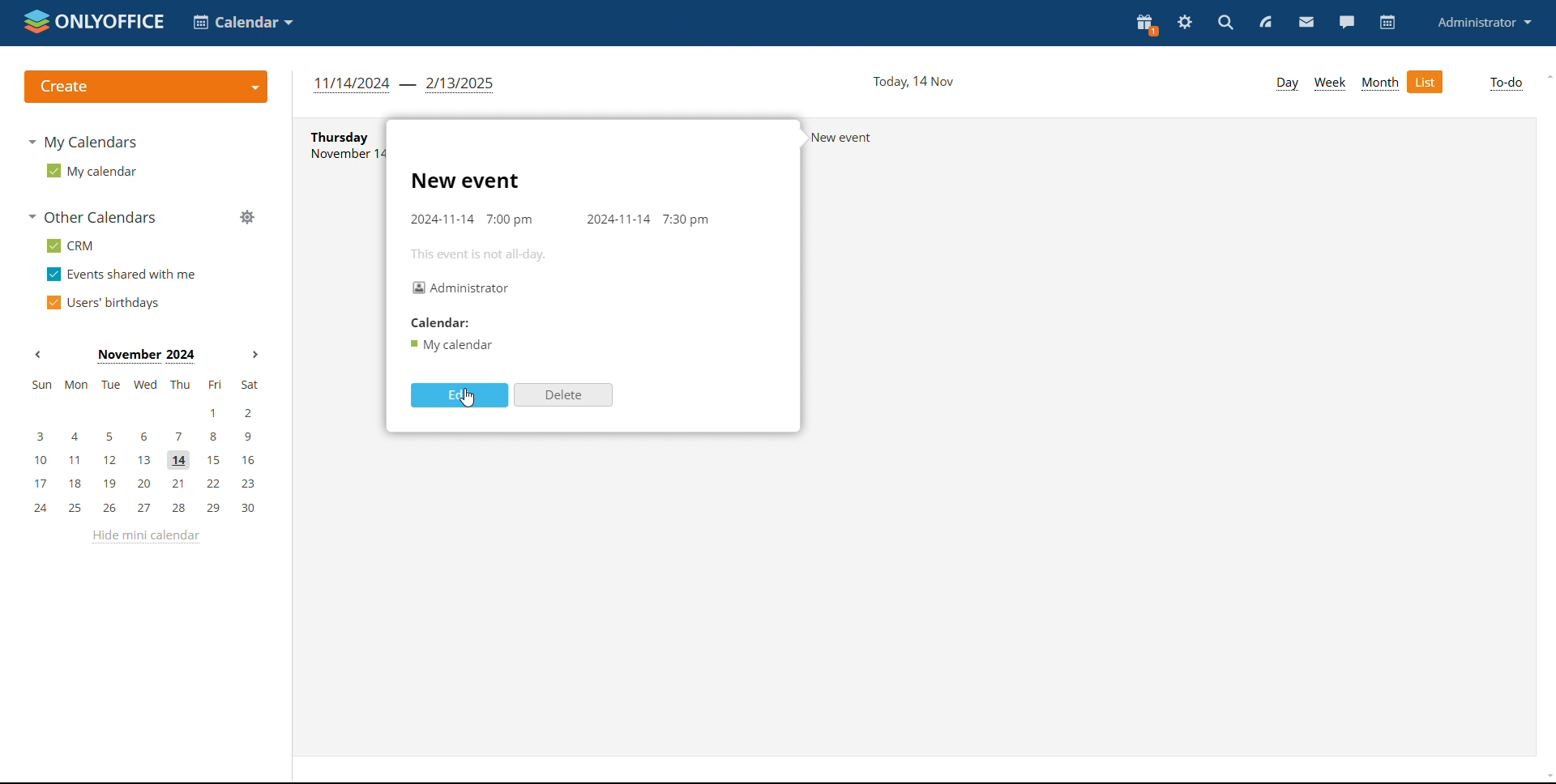  I want to click on mini calendar, so click(143, 447).